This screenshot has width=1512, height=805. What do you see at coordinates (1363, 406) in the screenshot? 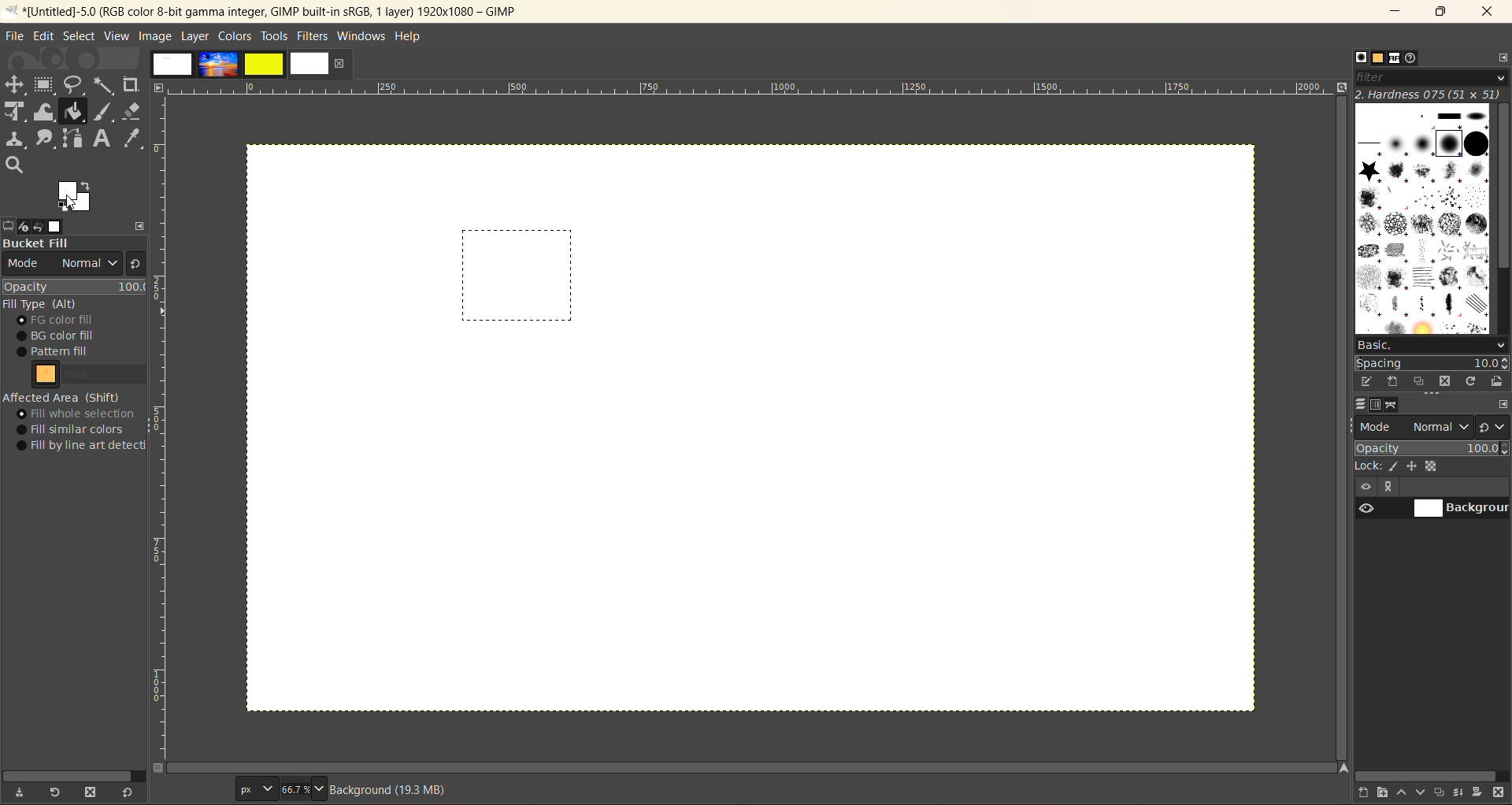
I see `layers` at bounding box center [1363, 406].